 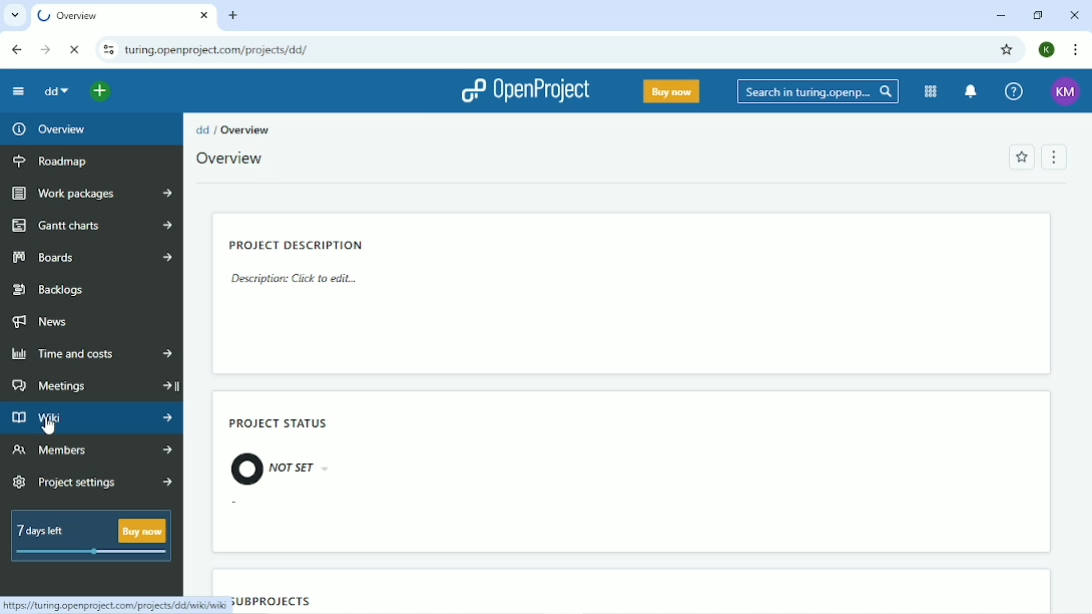 I want to click on More, so click(x=169, y=255).